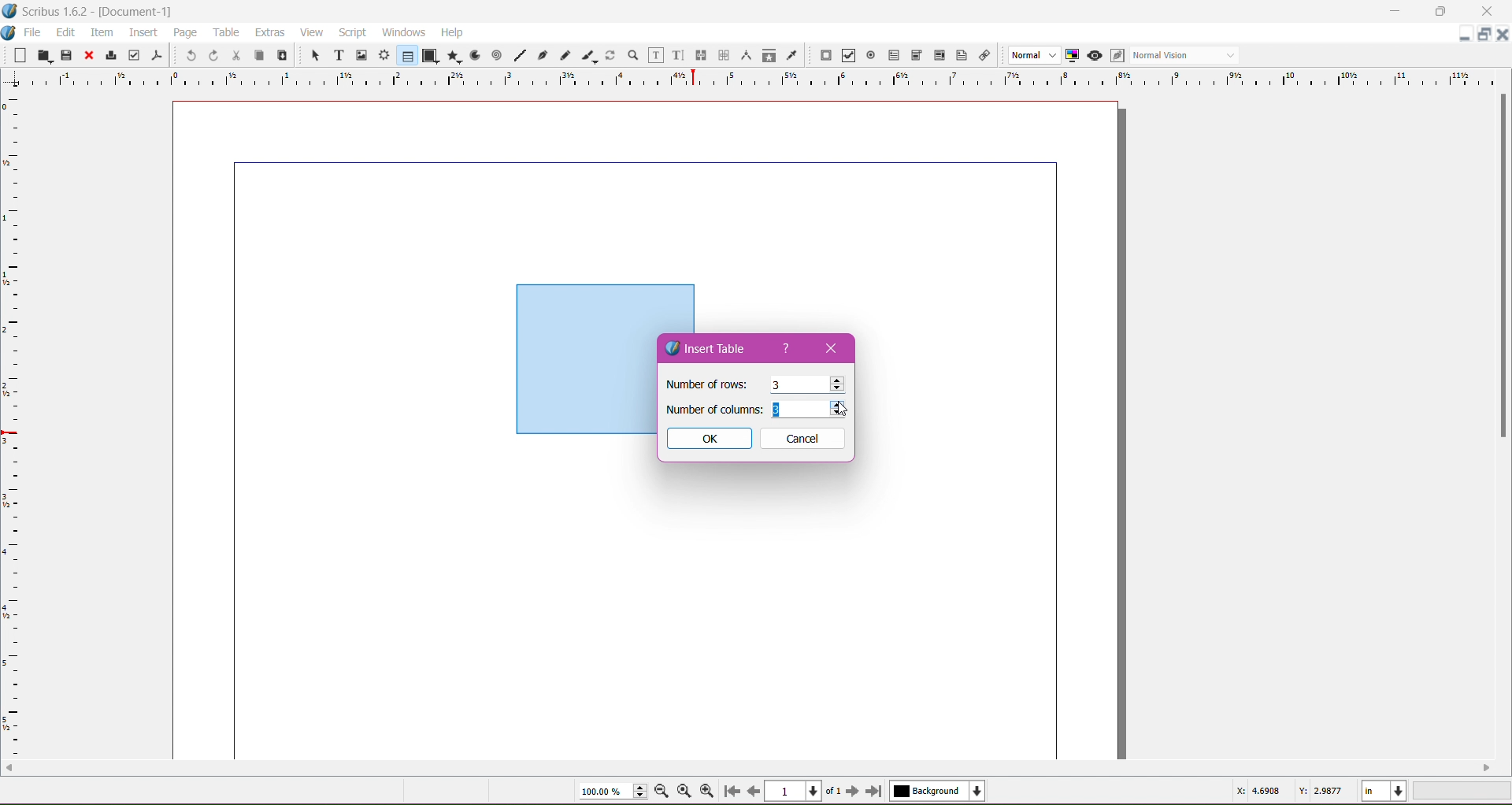  What do you see at coordinates (982, 54) in the screenshot?
I see `Link Annotation` at bounding box center [982, 54].